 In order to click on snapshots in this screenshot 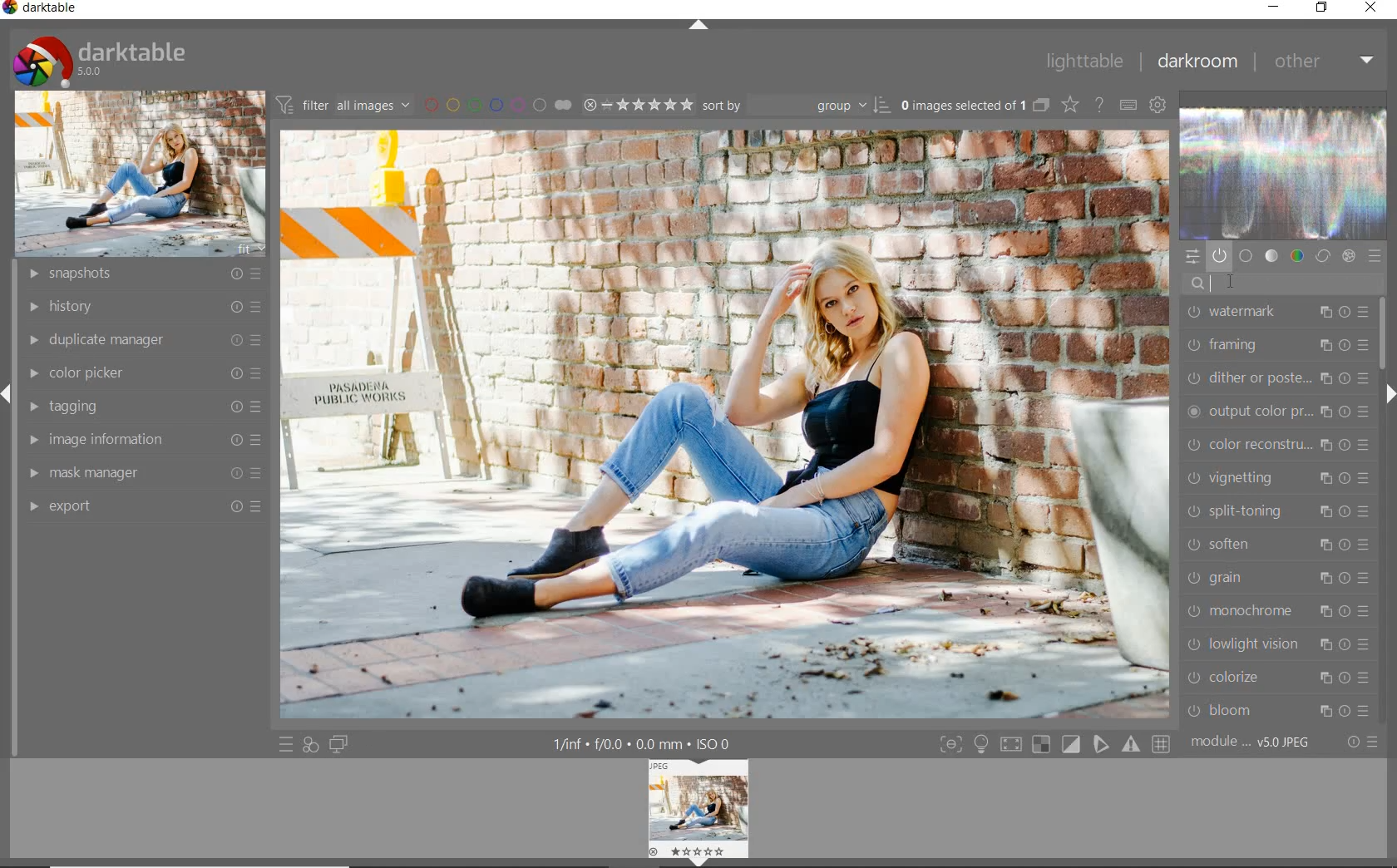, I will do `click(143, 274)`.